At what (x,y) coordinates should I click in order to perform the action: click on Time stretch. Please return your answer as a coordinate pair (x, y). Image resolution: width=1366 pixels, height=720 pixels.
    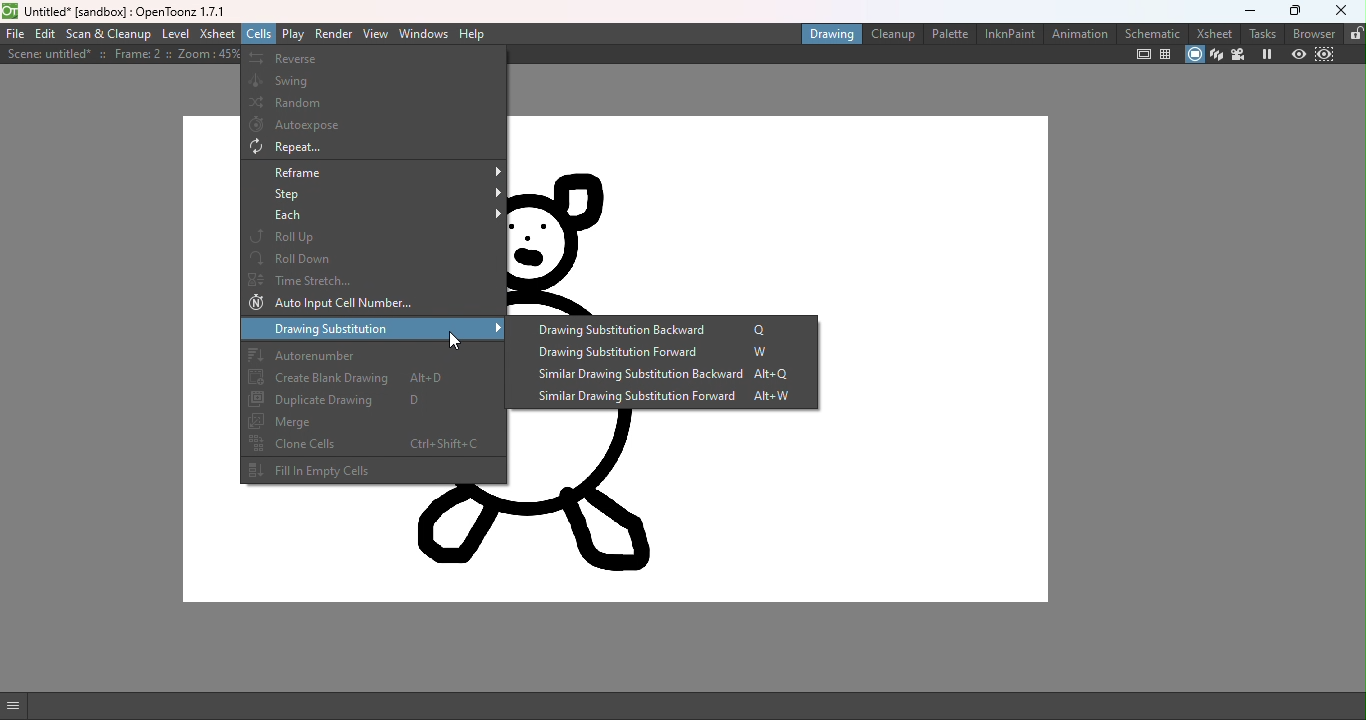
    Looking at the image, I should click on (374, 279).